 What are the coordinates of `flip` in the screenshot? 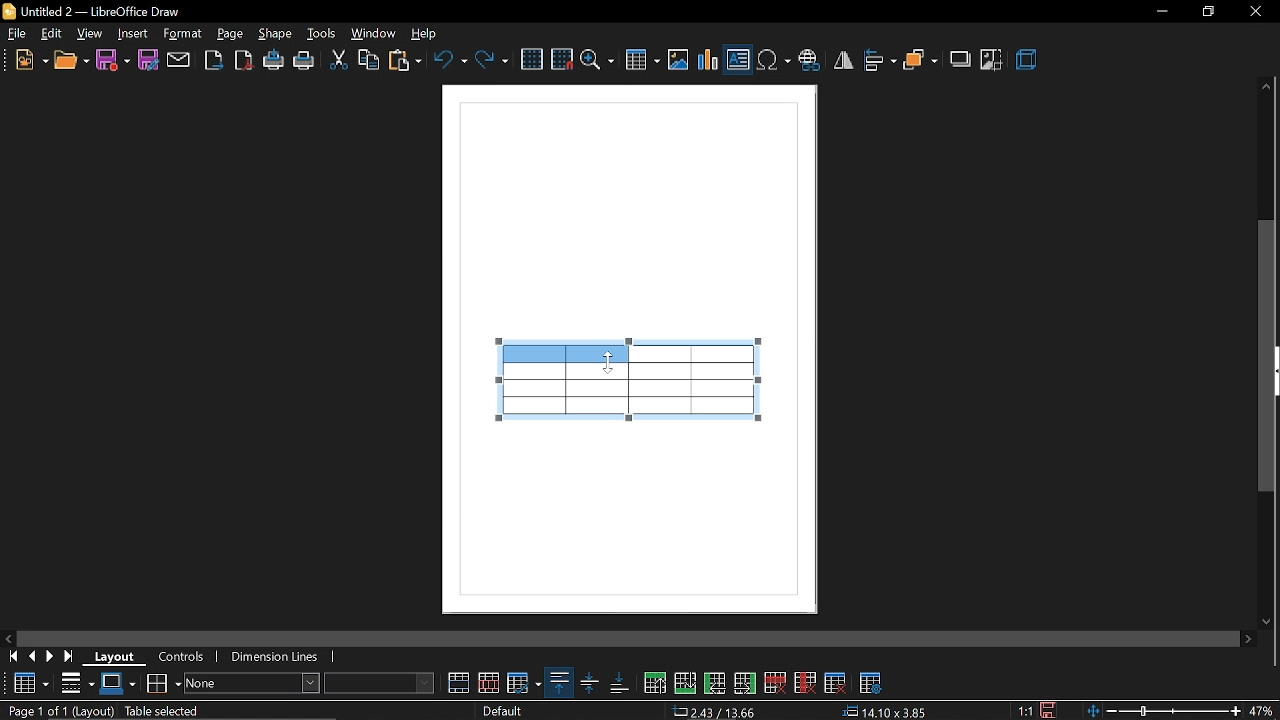 It's located at (842, 58).